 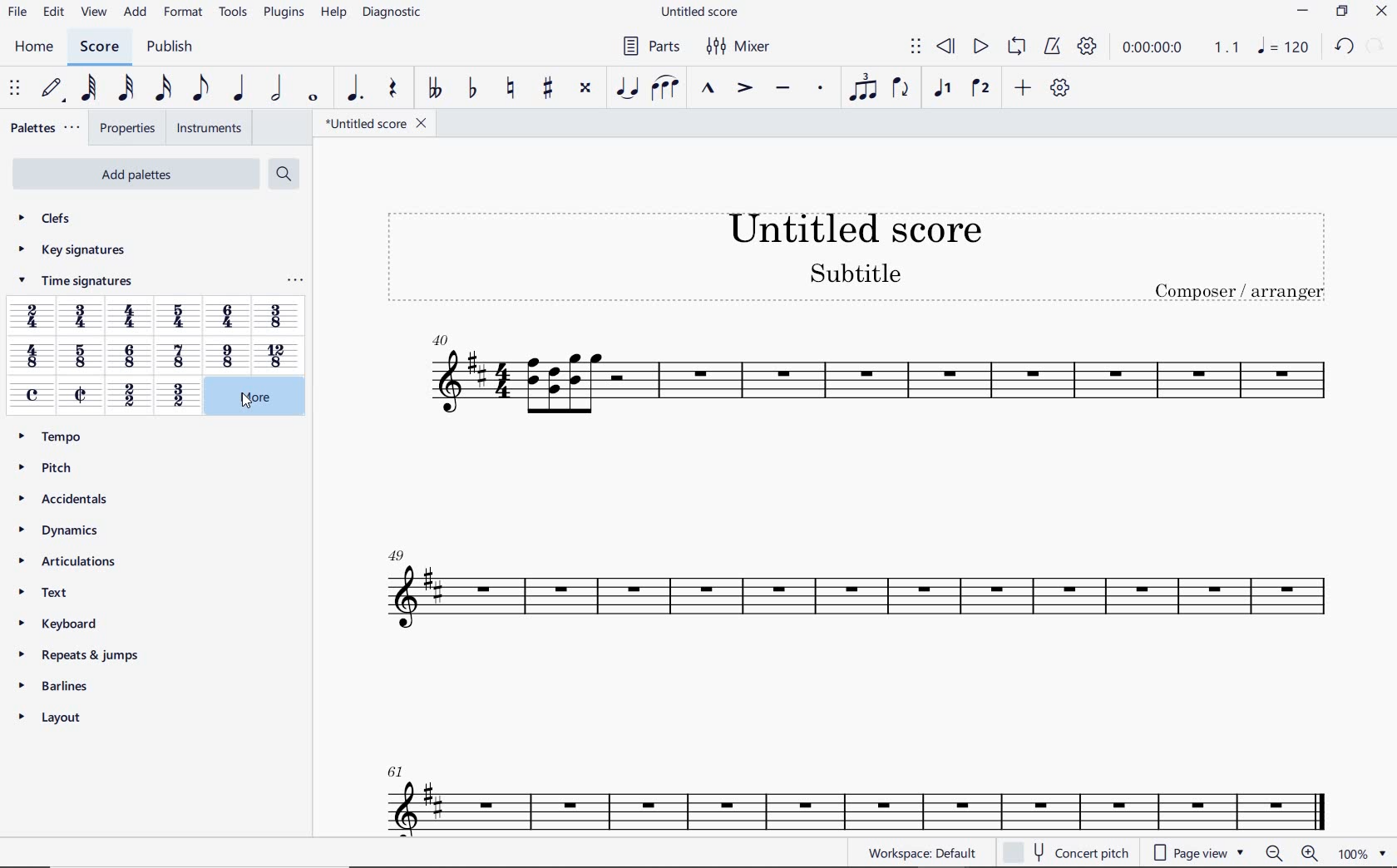 I want to click on FILE NAME, so click(x=376, y=123).